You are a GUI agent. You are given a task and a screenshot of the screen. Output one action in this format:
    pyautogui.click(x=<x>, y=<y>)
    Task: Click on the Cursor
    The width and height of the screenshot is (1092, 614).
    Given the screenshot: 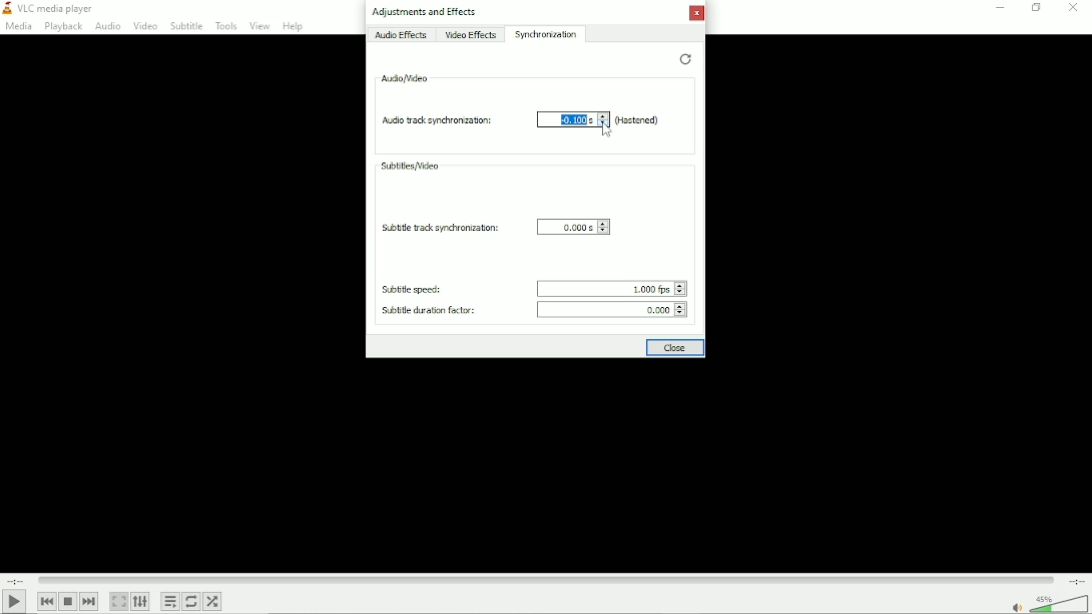 What is the action you would take?
    pyautogui.click(x=606, y=128)
    